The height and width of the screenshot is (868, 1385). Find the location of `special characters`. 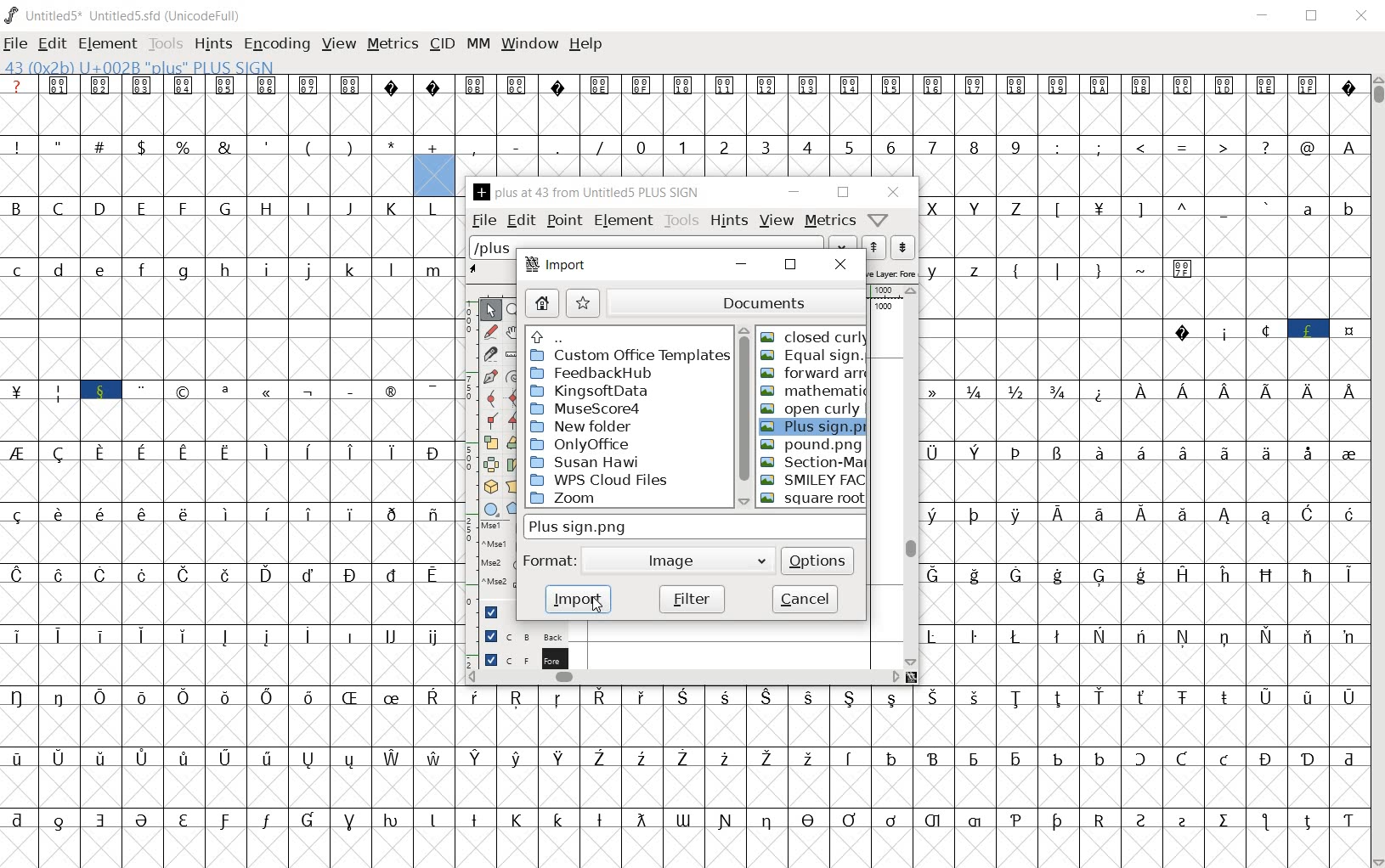

special characters is located at coordinates (1000, 471).